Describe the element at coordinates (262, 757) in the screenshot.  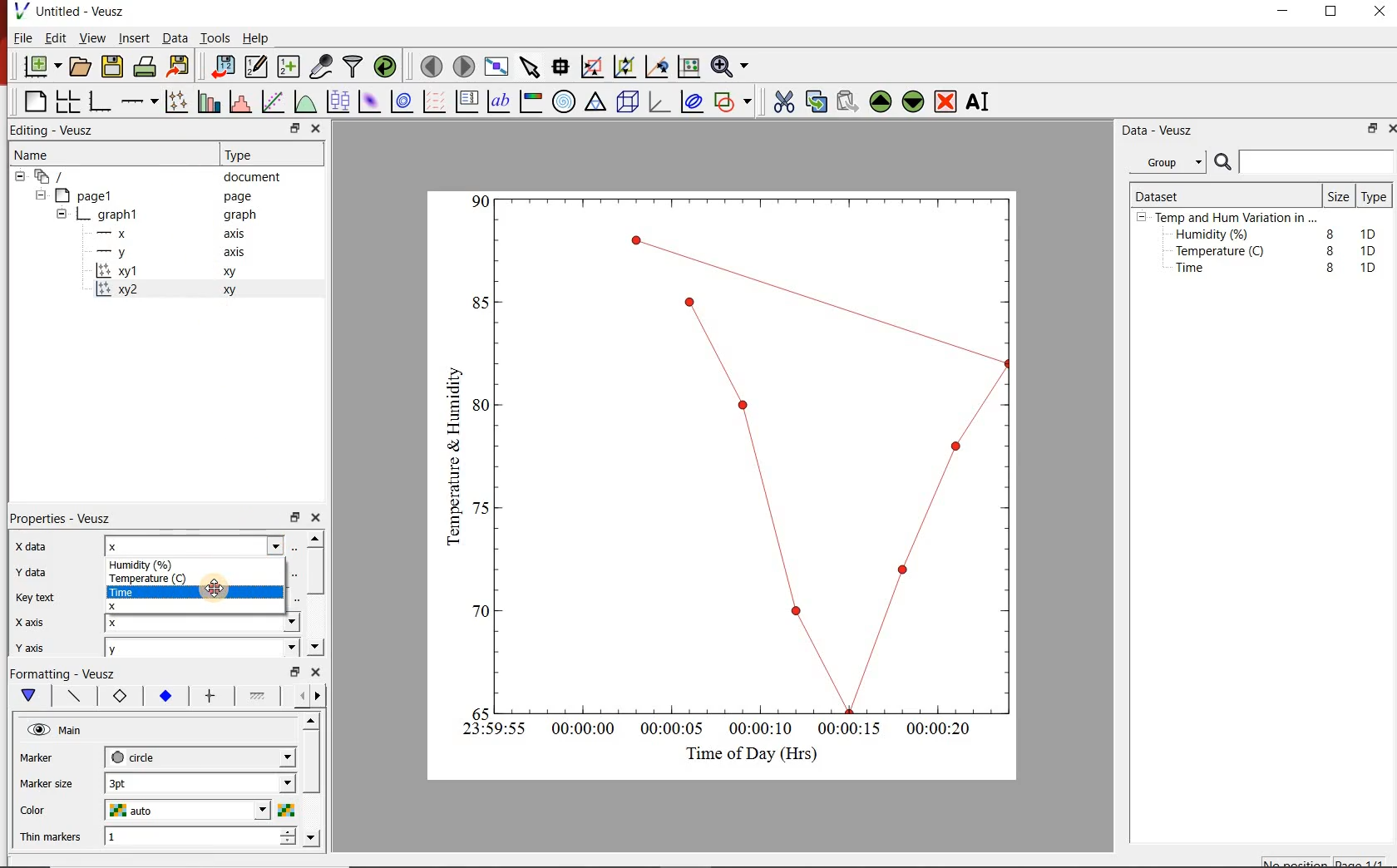
I see `Marker dropdown` at that location.